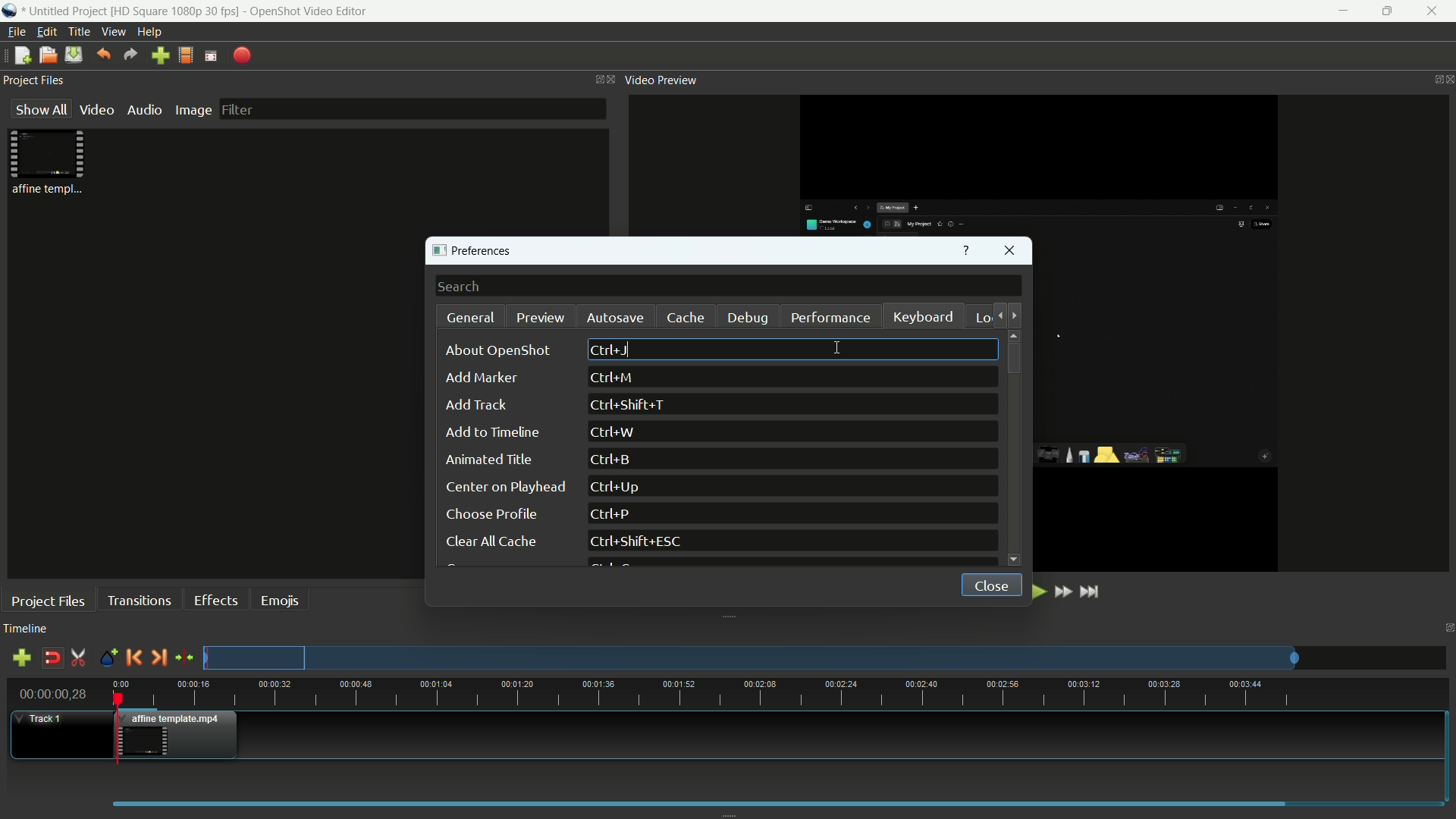  What do you see at coordinates (52, 658) in the screenshot?
I see `disable snap` at bounding box center [52, 658].